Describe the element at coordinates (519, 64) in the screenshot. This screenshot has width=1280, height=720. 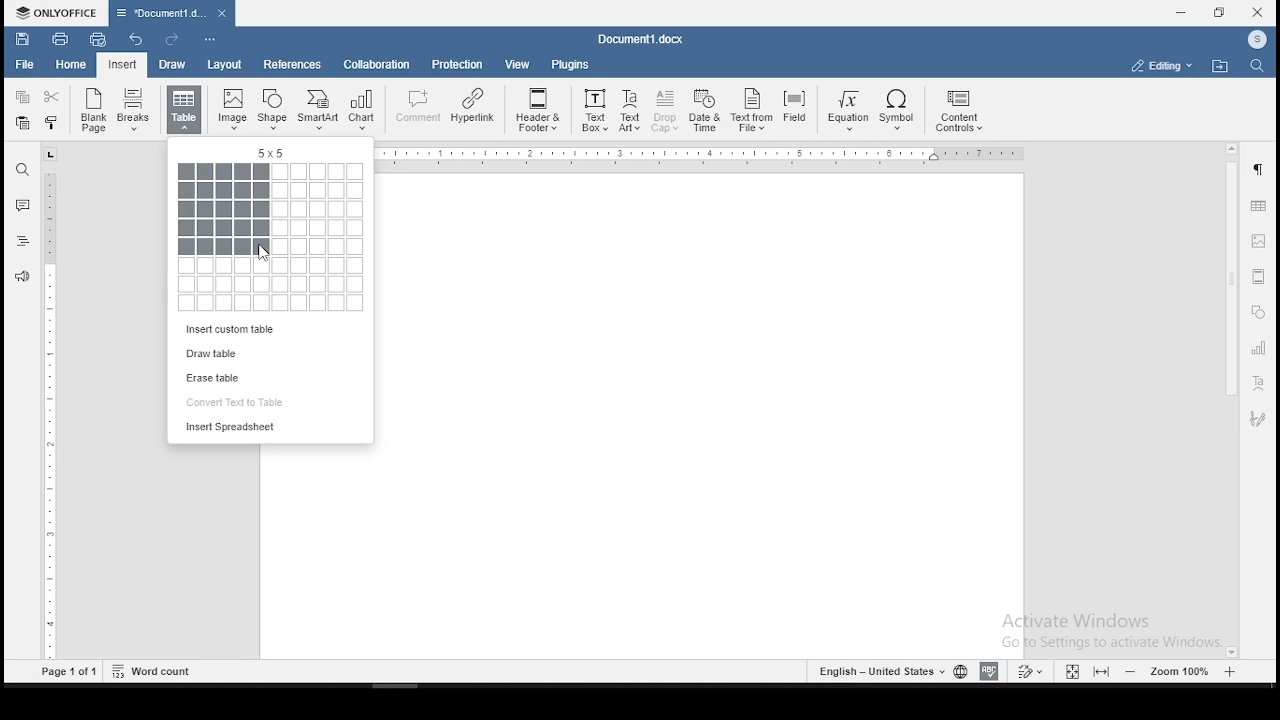
I see `view` at that location.